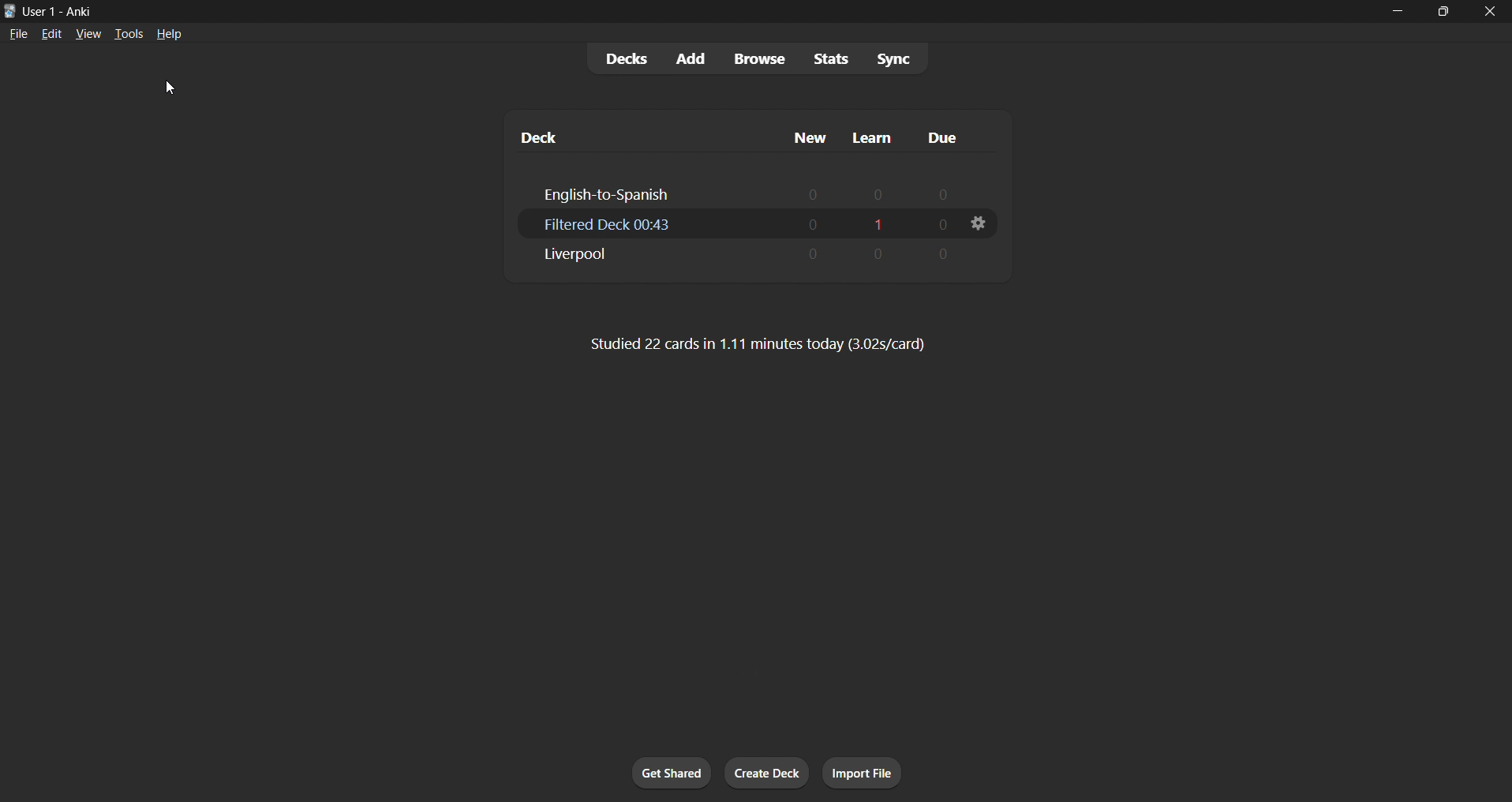 The image size is (1512, 802). I want to click on edit, so click(51, 32).